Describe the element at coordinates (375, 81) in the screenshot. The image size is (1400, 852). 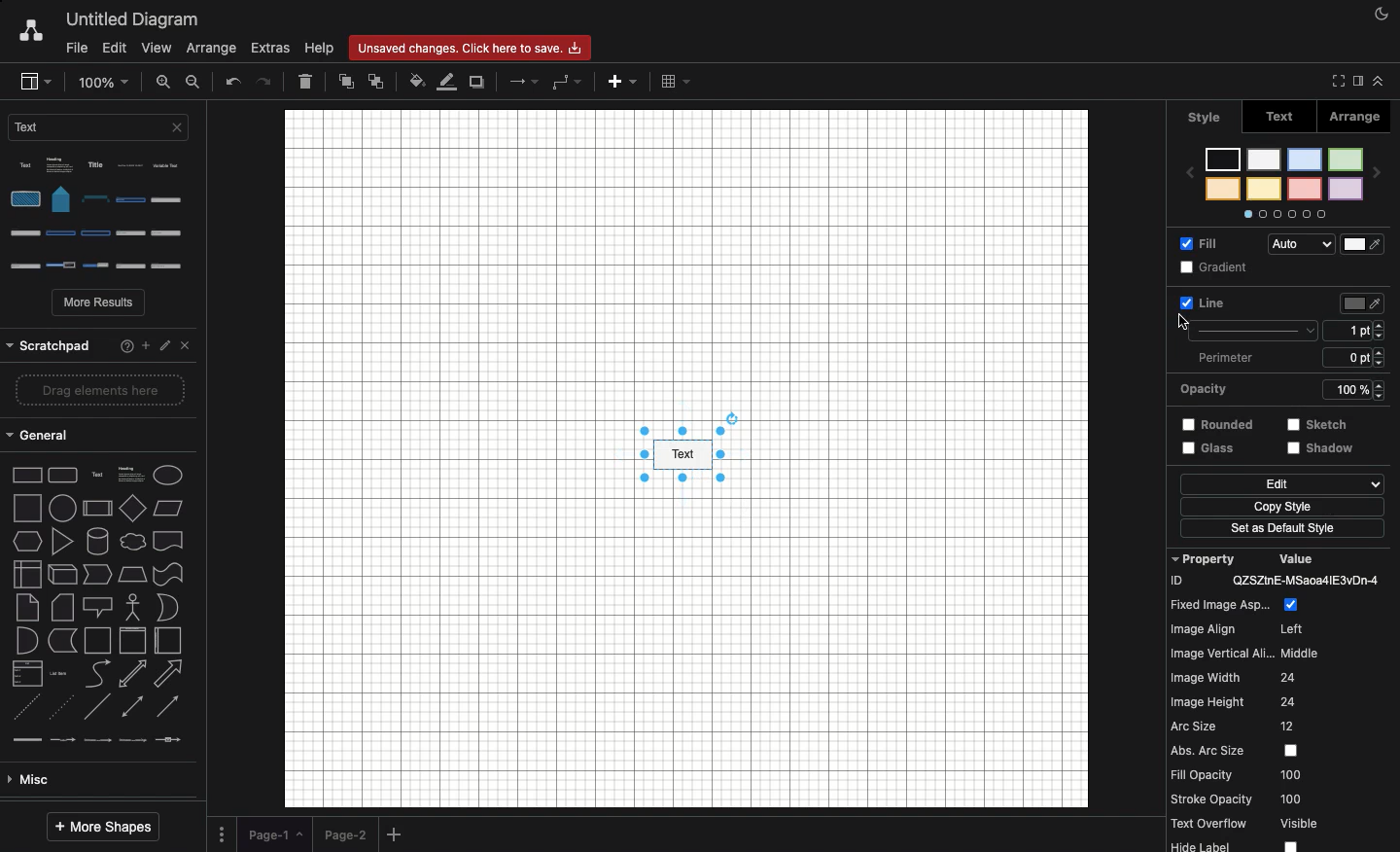
I see `To back` at that location.